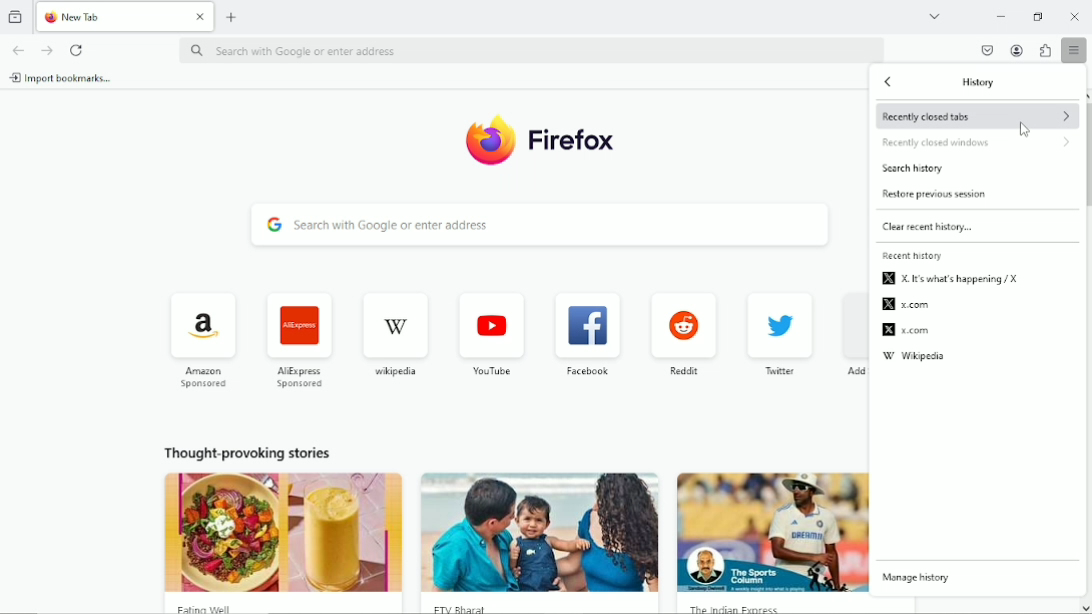  What do you see at coordinates (18, 50) in the screenshot?
I see `go back` at bounding box center [18, 50].